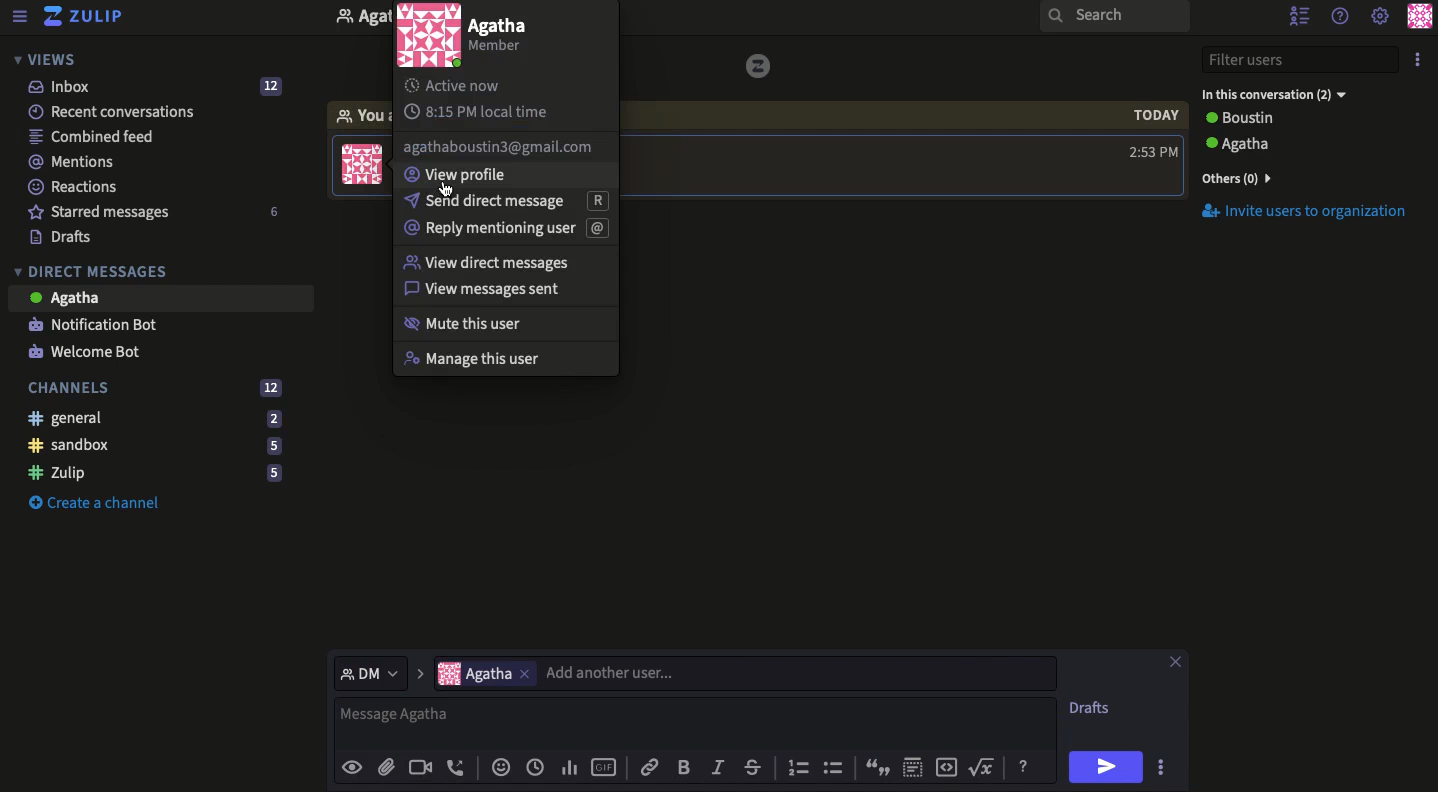  I want to click on Filter users, so click(1302, 58).